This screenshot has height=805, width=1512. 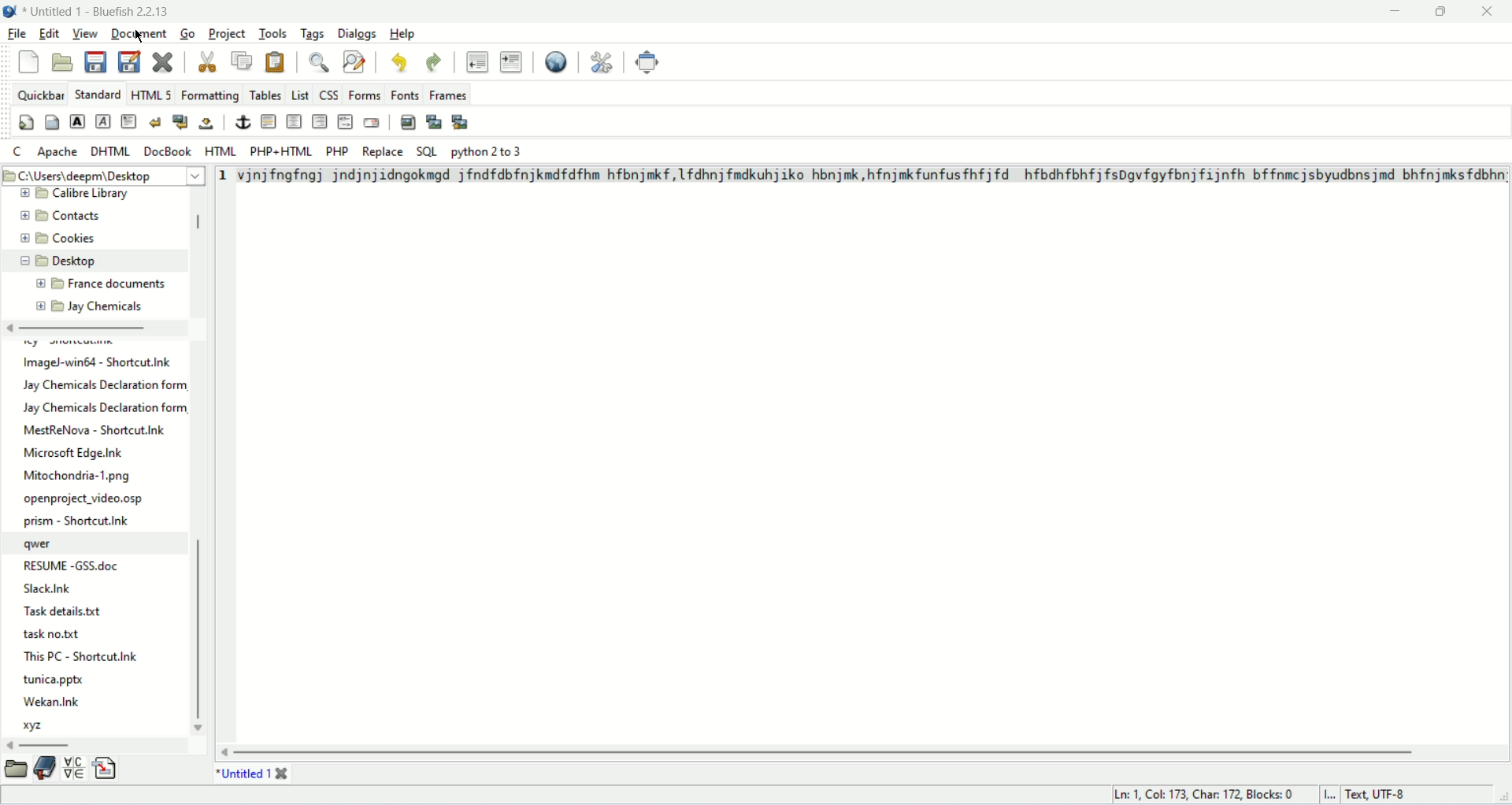 I want to click on forms, so click(x=365, y=95).